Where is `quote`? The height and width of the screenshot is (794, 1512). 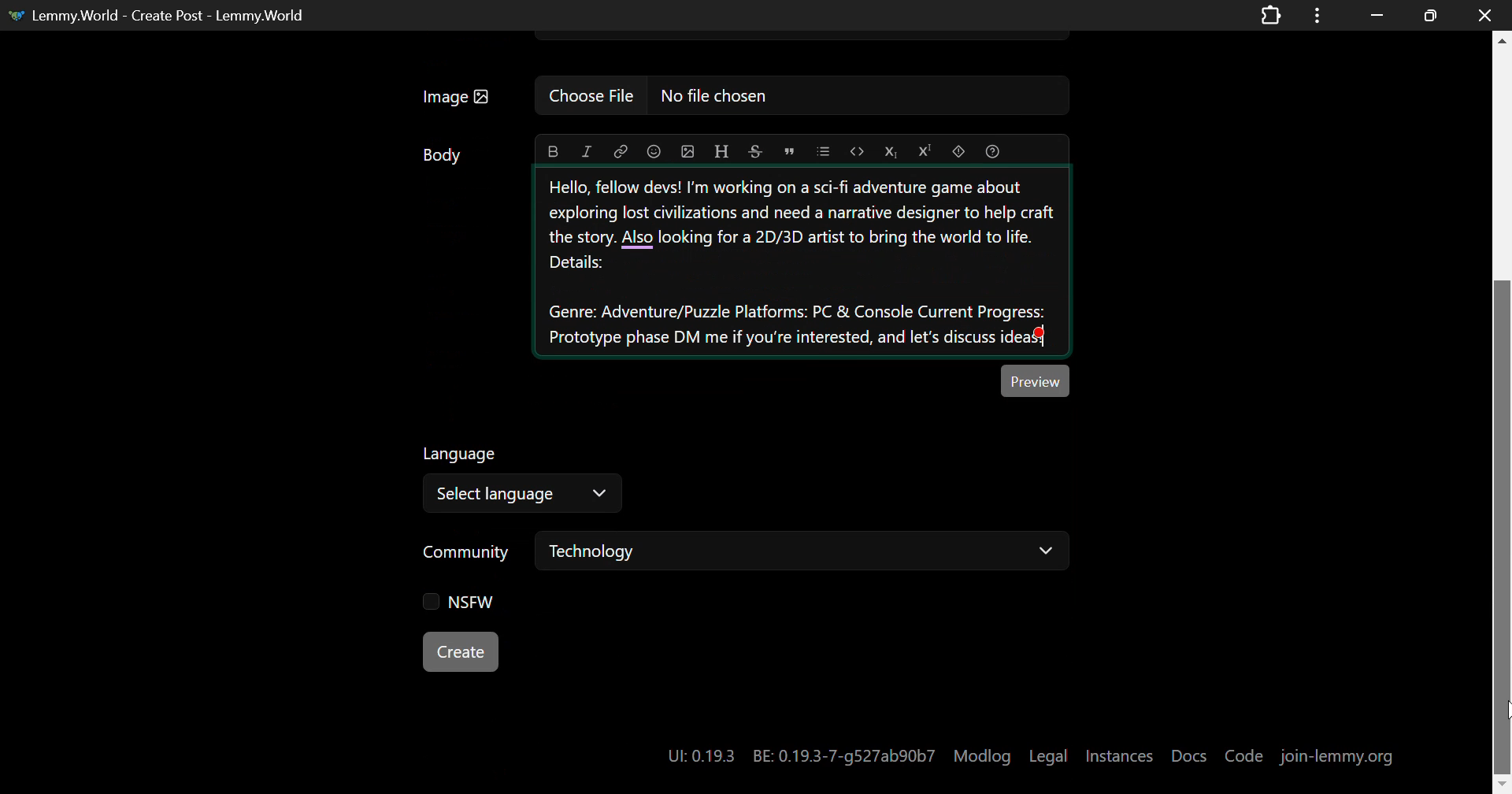
quote is located at coordinates (787, 150).